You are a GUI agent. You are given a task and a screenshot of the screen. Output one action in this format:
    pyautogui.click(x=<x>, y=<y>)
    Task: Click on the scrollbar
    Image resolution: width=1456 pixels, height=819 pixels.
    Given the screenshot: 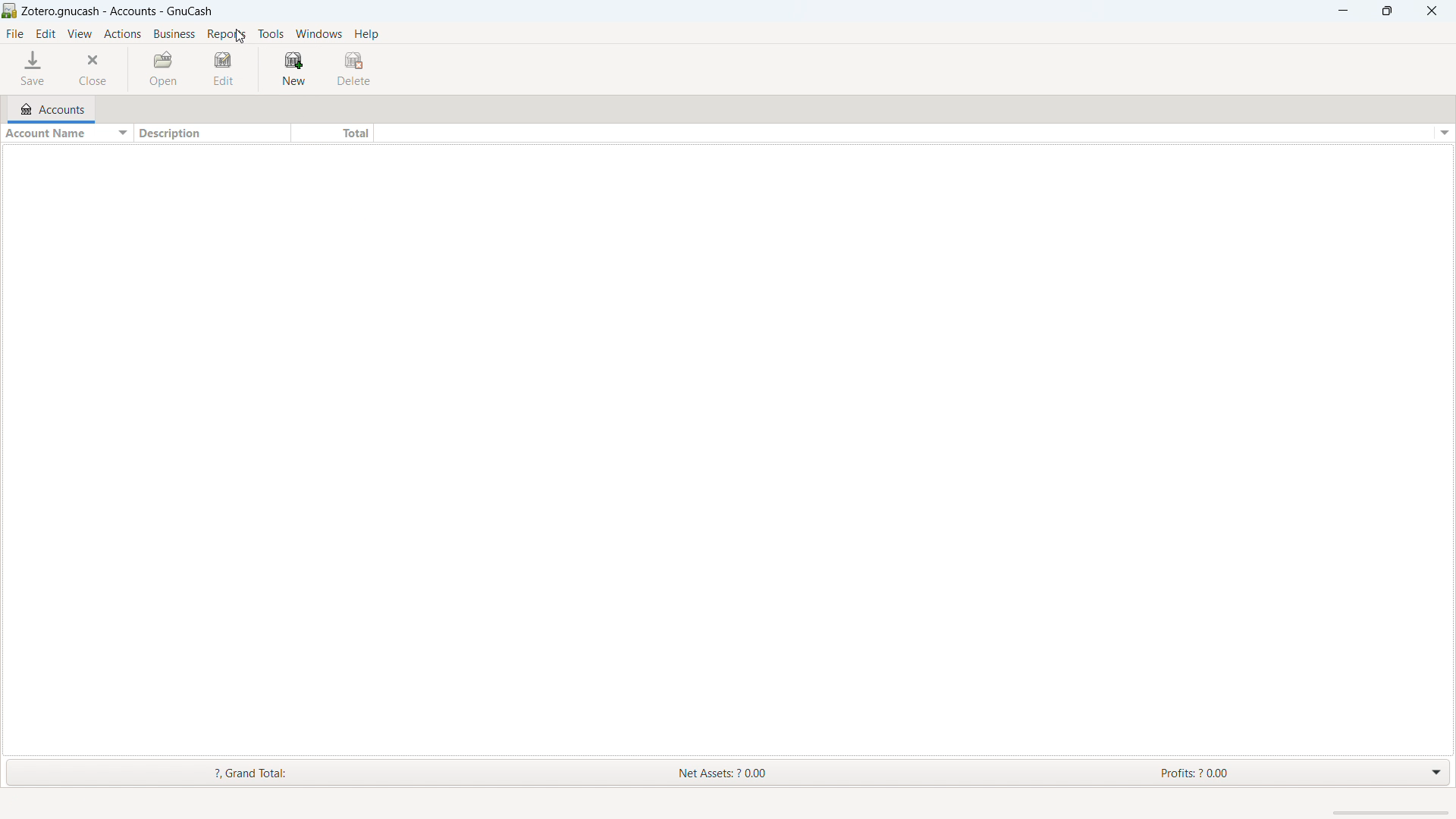 What is the action you would take?
    pyautogui.click(x=1389, y=811)
    